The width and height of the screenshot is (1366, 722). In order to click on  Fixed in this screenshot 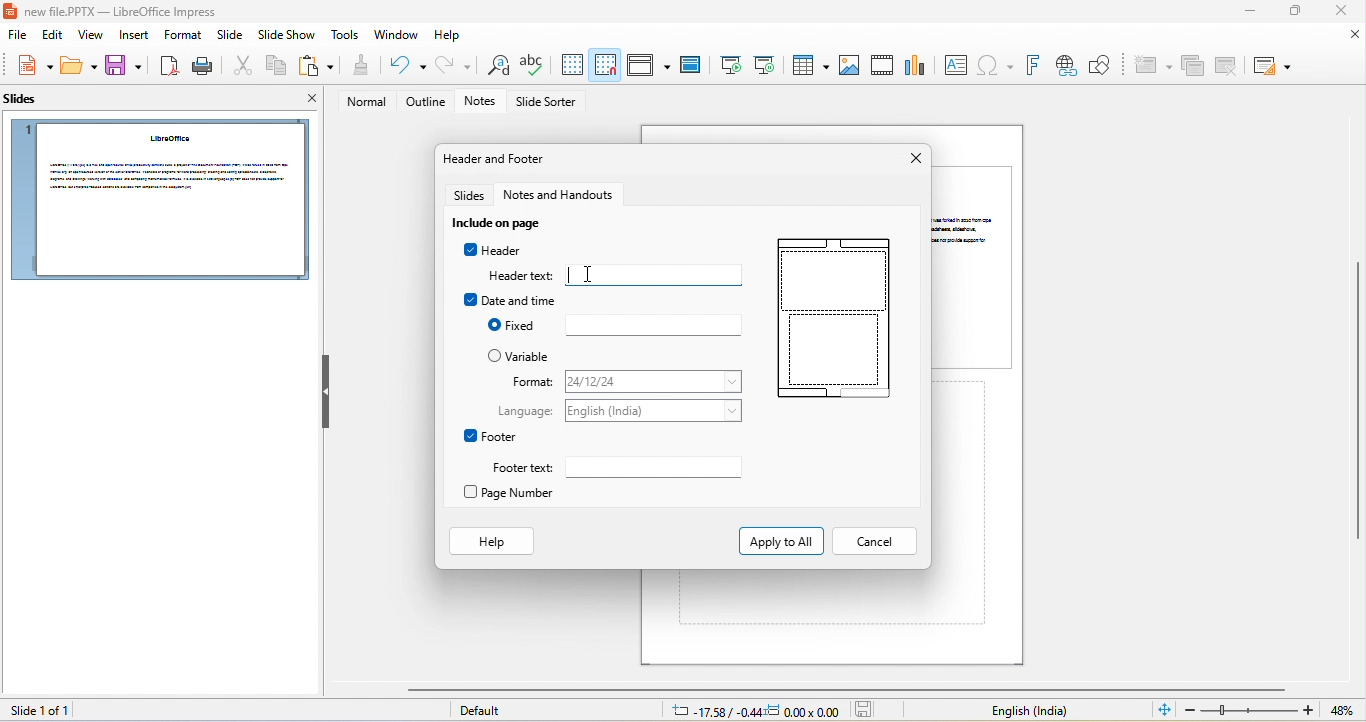, I will do `click(511, 325)`.